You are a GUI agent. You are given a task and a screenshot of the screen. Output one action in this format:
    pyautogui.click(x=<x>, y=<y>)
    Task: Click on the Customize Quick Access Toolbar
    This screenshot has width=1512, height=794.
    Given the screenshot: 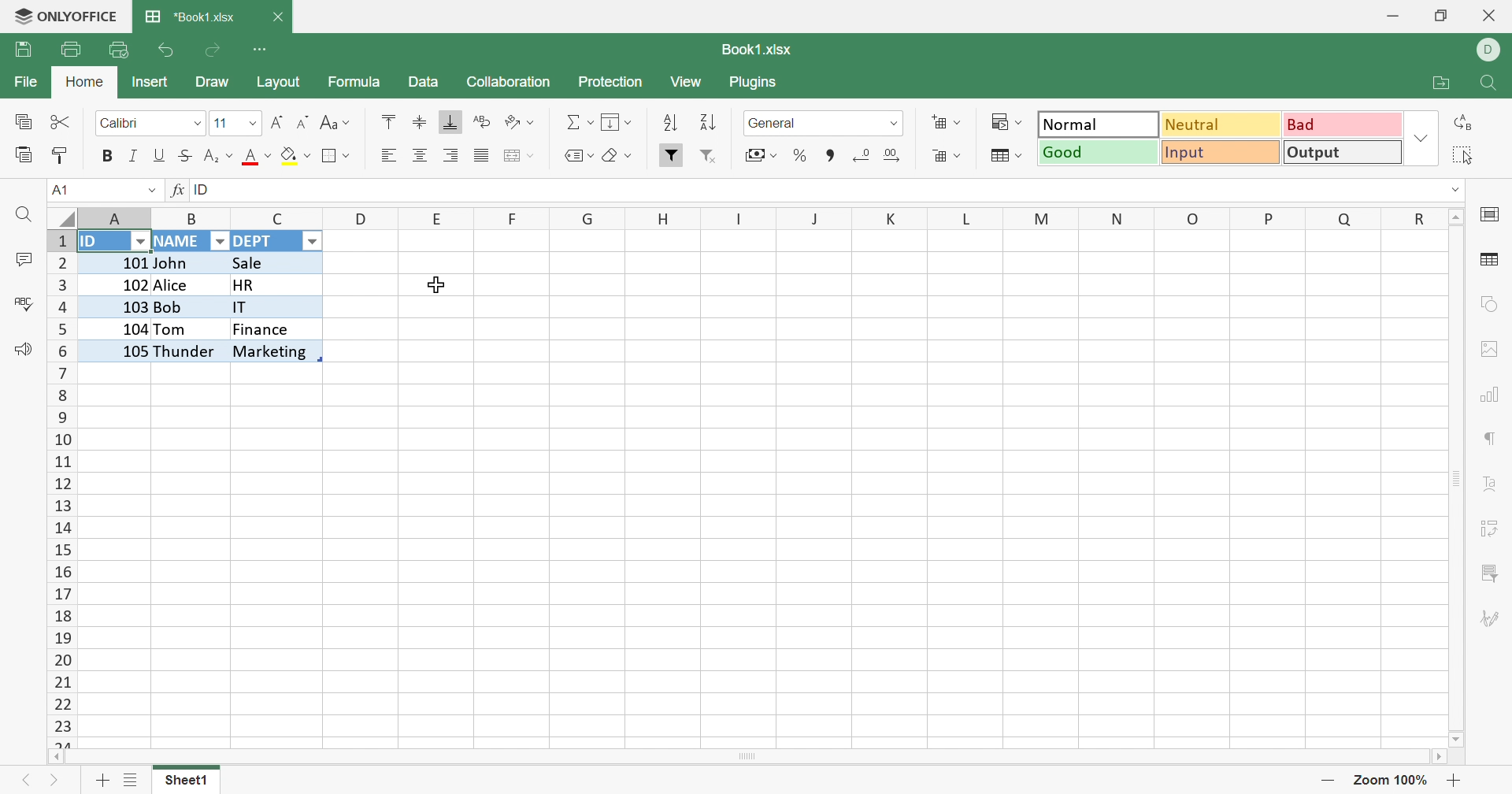 What is the action you would take?
    pyautogui.click(x=262, y=50)
    